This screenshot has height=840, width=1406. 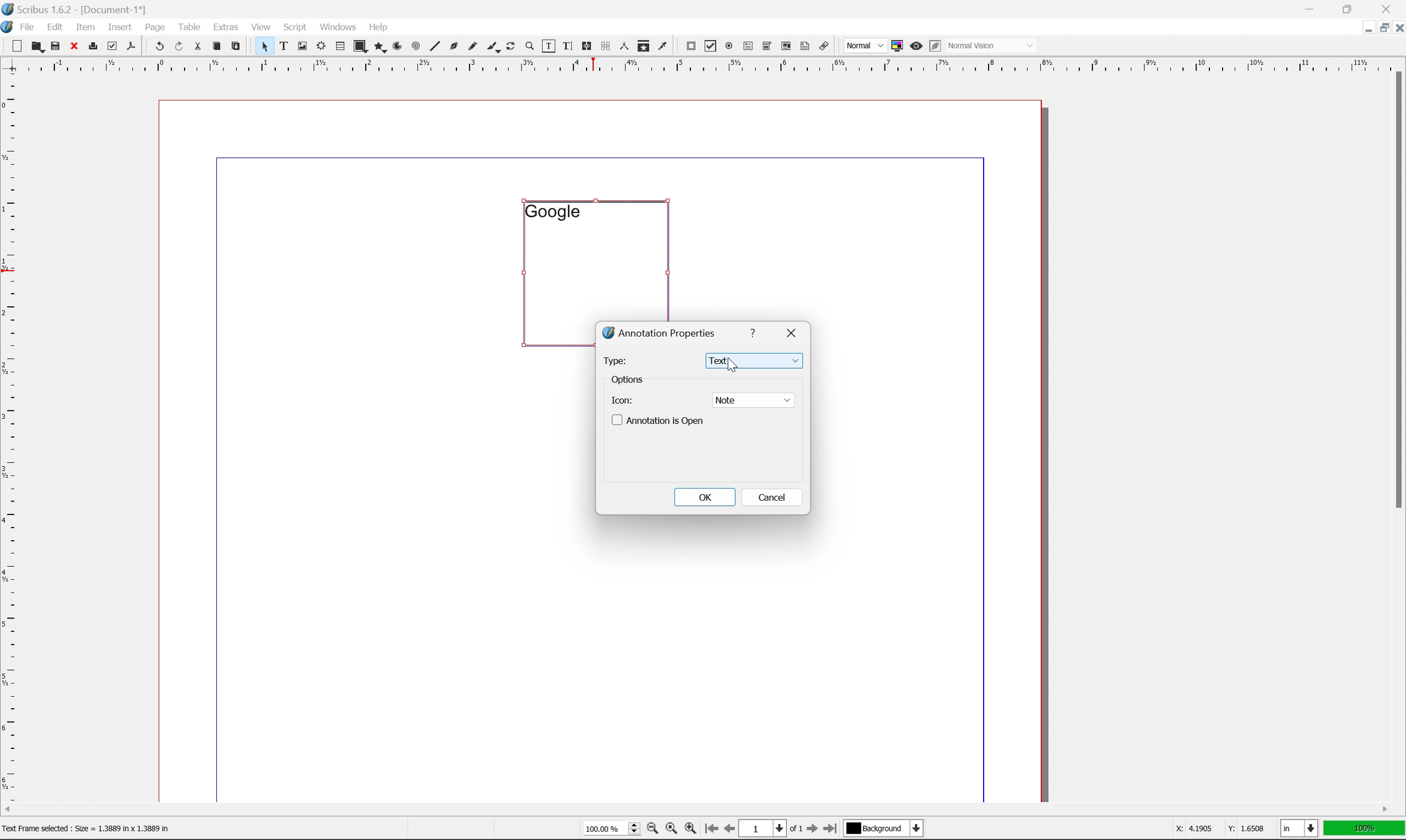 What do you see at coordinates (830, 829) in the screenshot?
I see `go to last page` at bounding box center [830, 829].